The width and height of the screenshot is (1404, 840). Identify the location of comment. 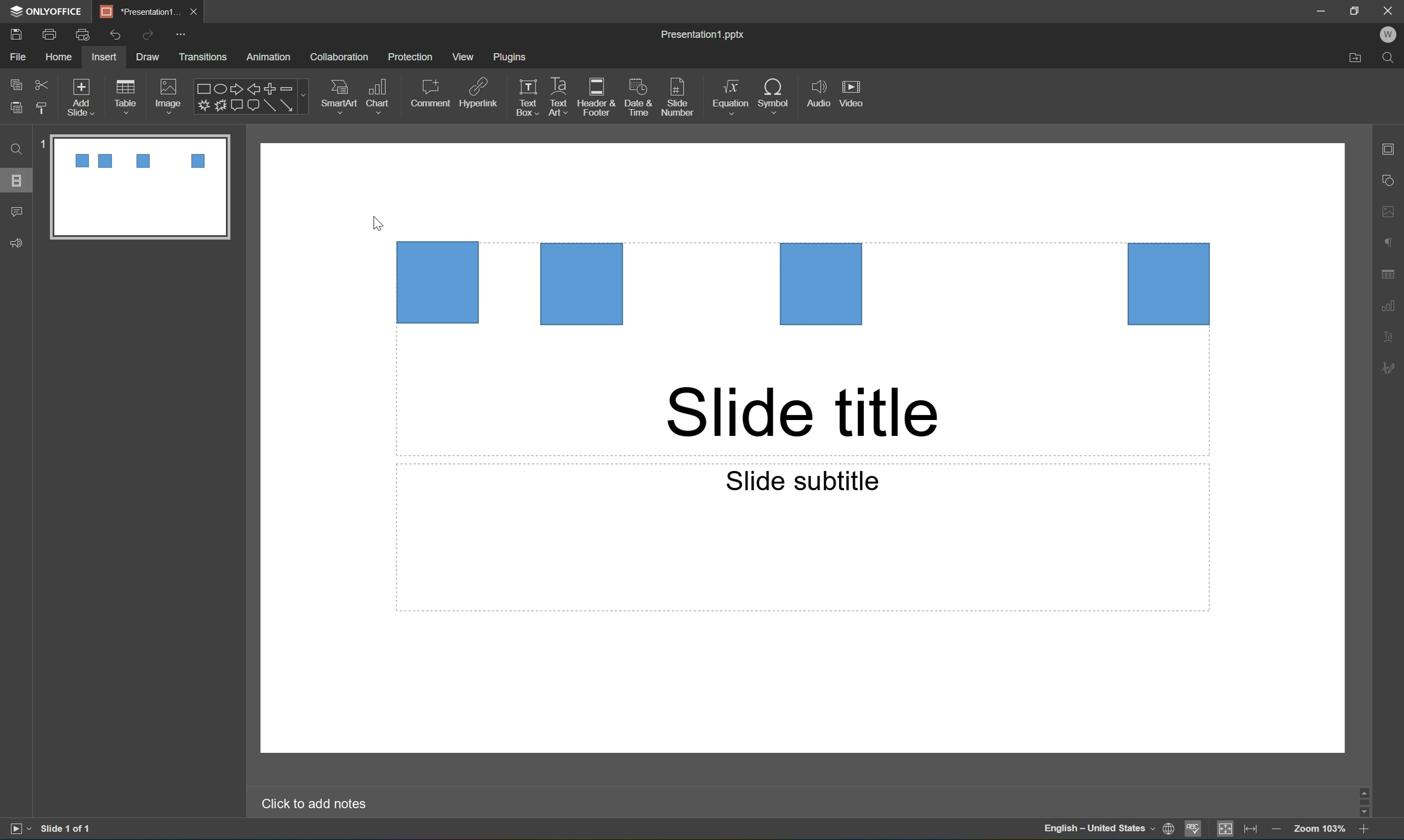
(430, 93).